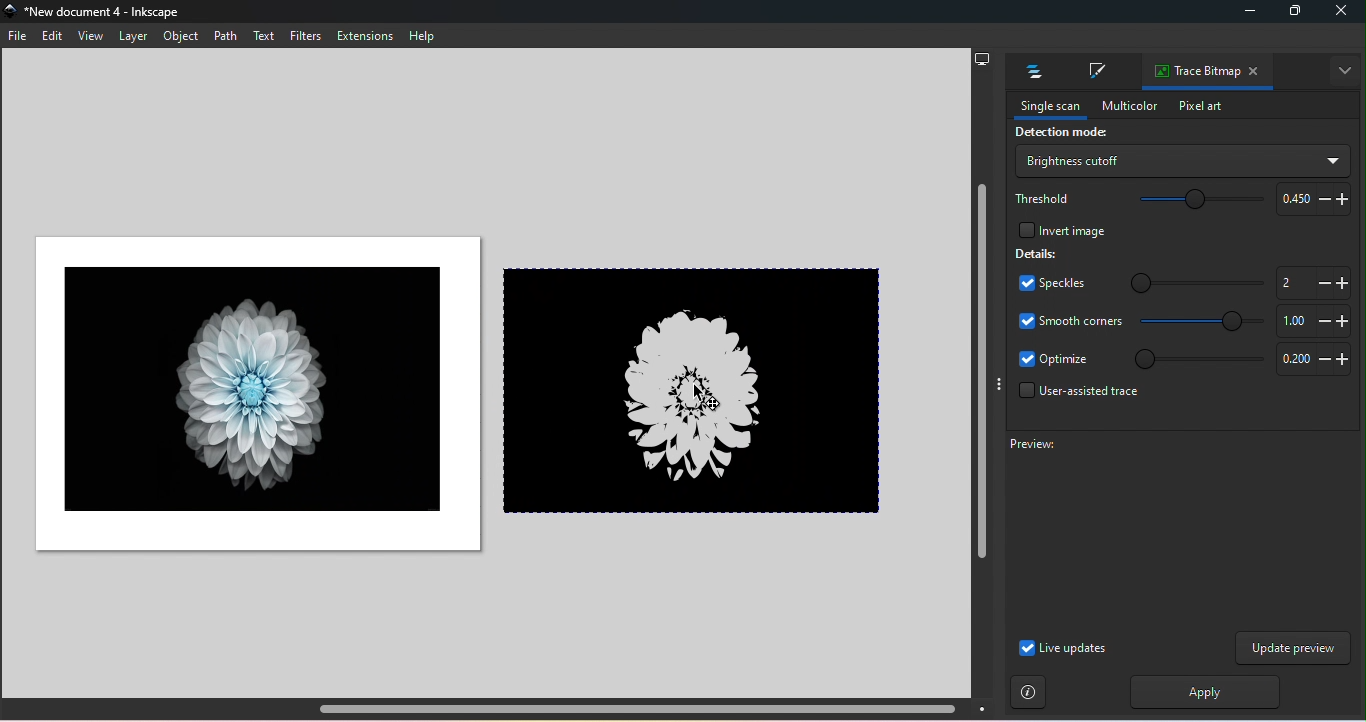  What do you see at coordinates (1046, 285) in the screenshot?
I see `Speckles` at bounding box center [1046, 285].